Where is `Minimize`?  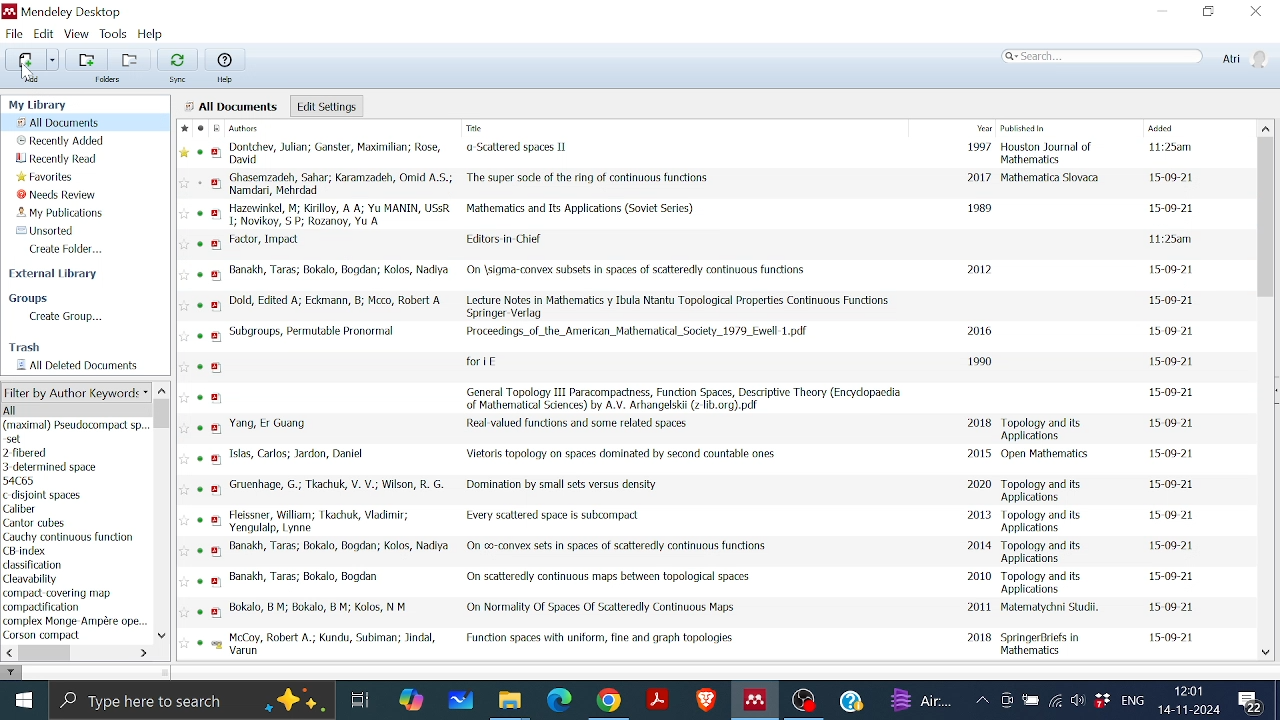 Minimize is located at coordinates (1162, 11).